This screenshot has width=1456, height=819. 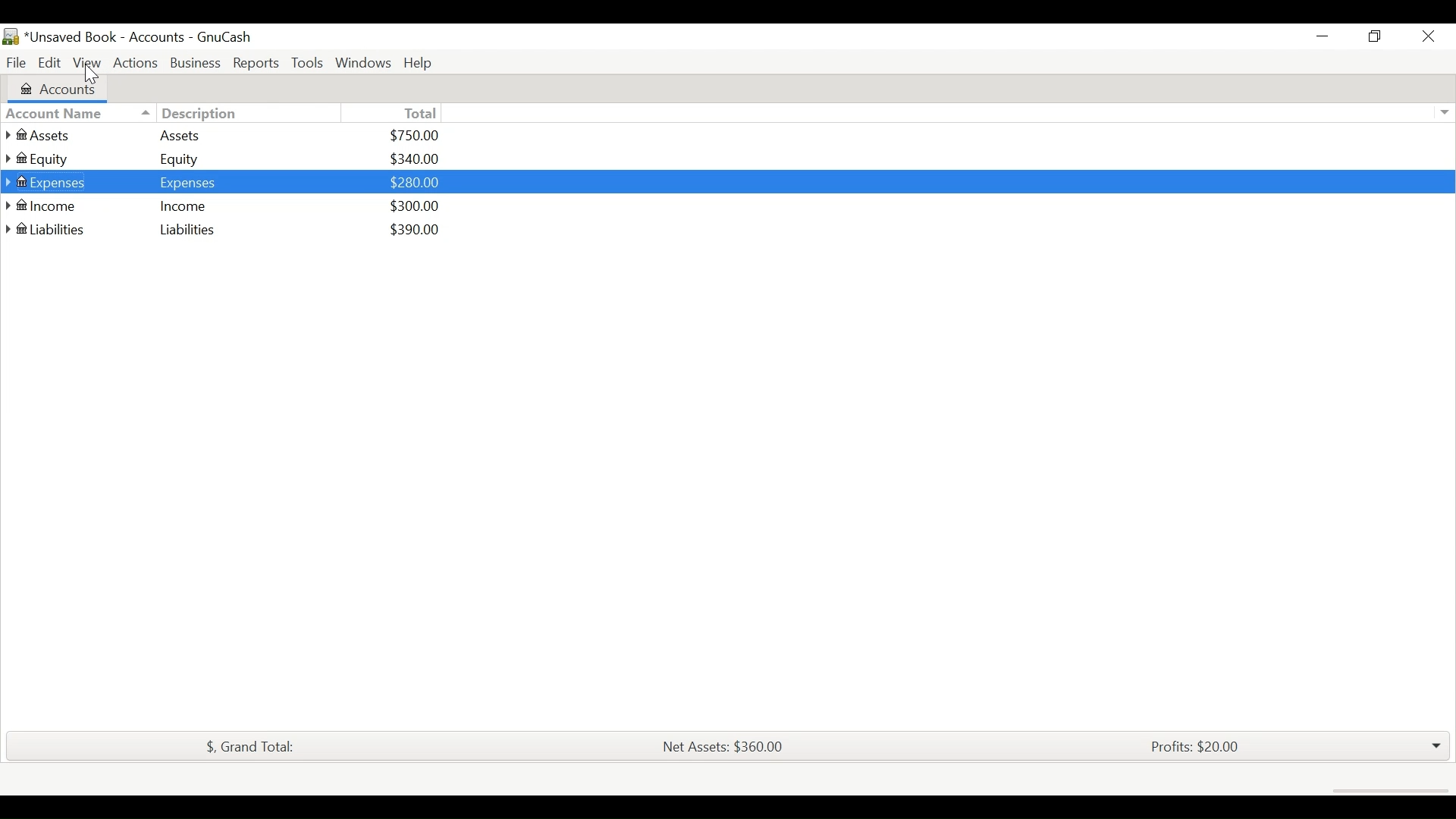 What do you see at coordinates (1323, 37) in the screenshot?
I see `Minimize` at bounding box center [1323, 37].